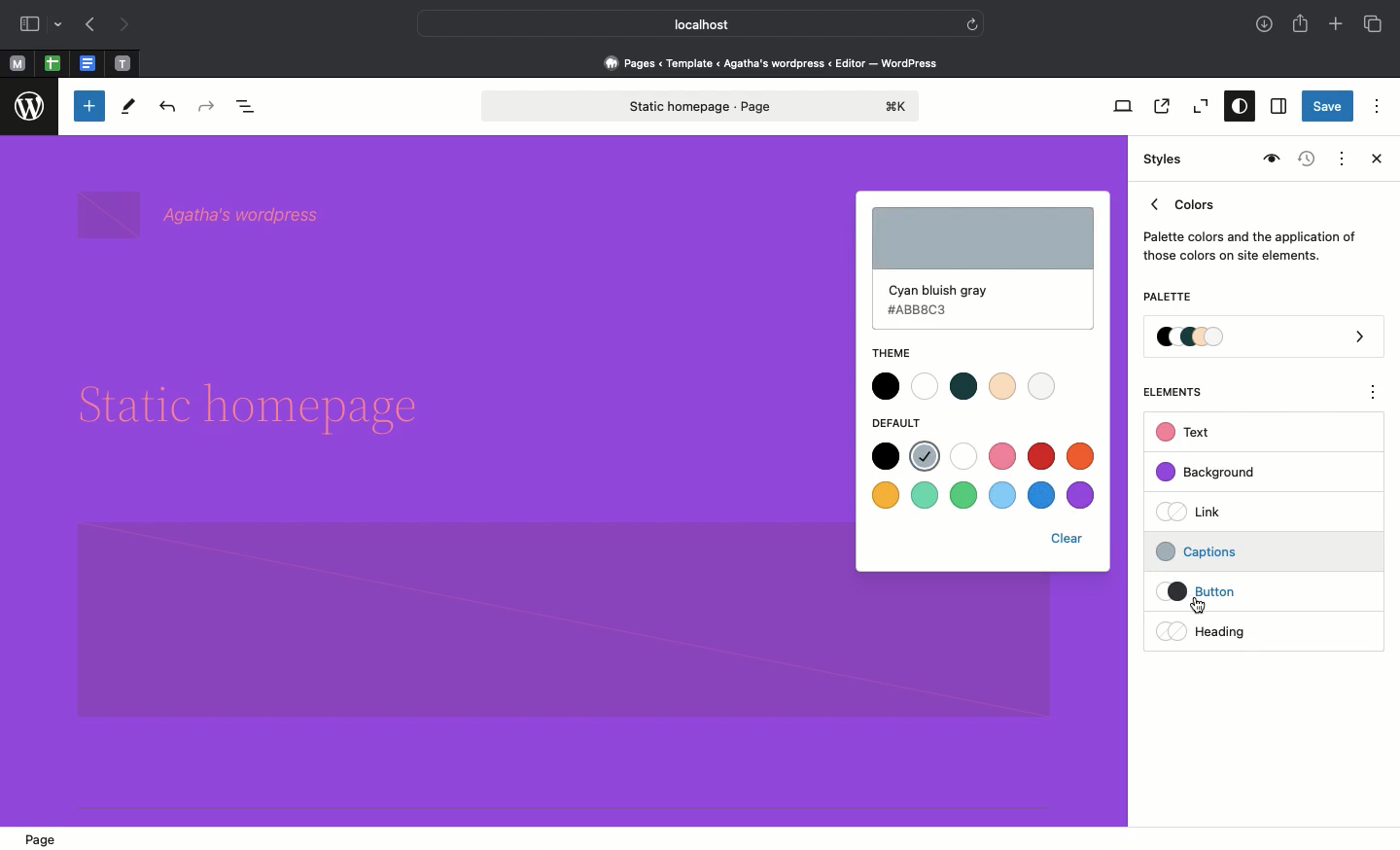 The image size is (1400, 850). What do you see at coordinates (89, 106) in the screenshot?
I see `Toggle blocker` at bounding box center [89, 106].